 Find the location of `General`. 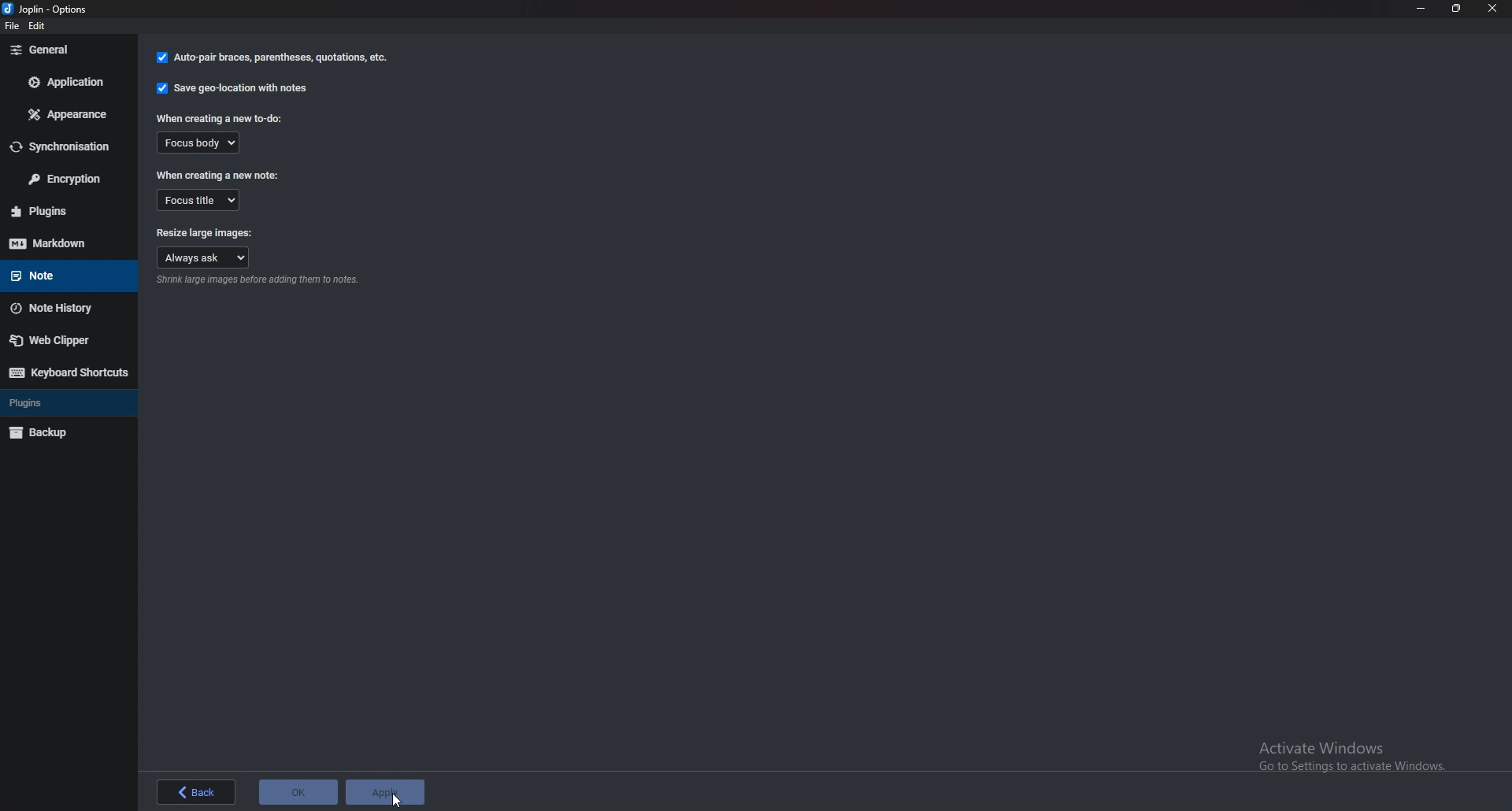

General is located at coordinates (63, 50).